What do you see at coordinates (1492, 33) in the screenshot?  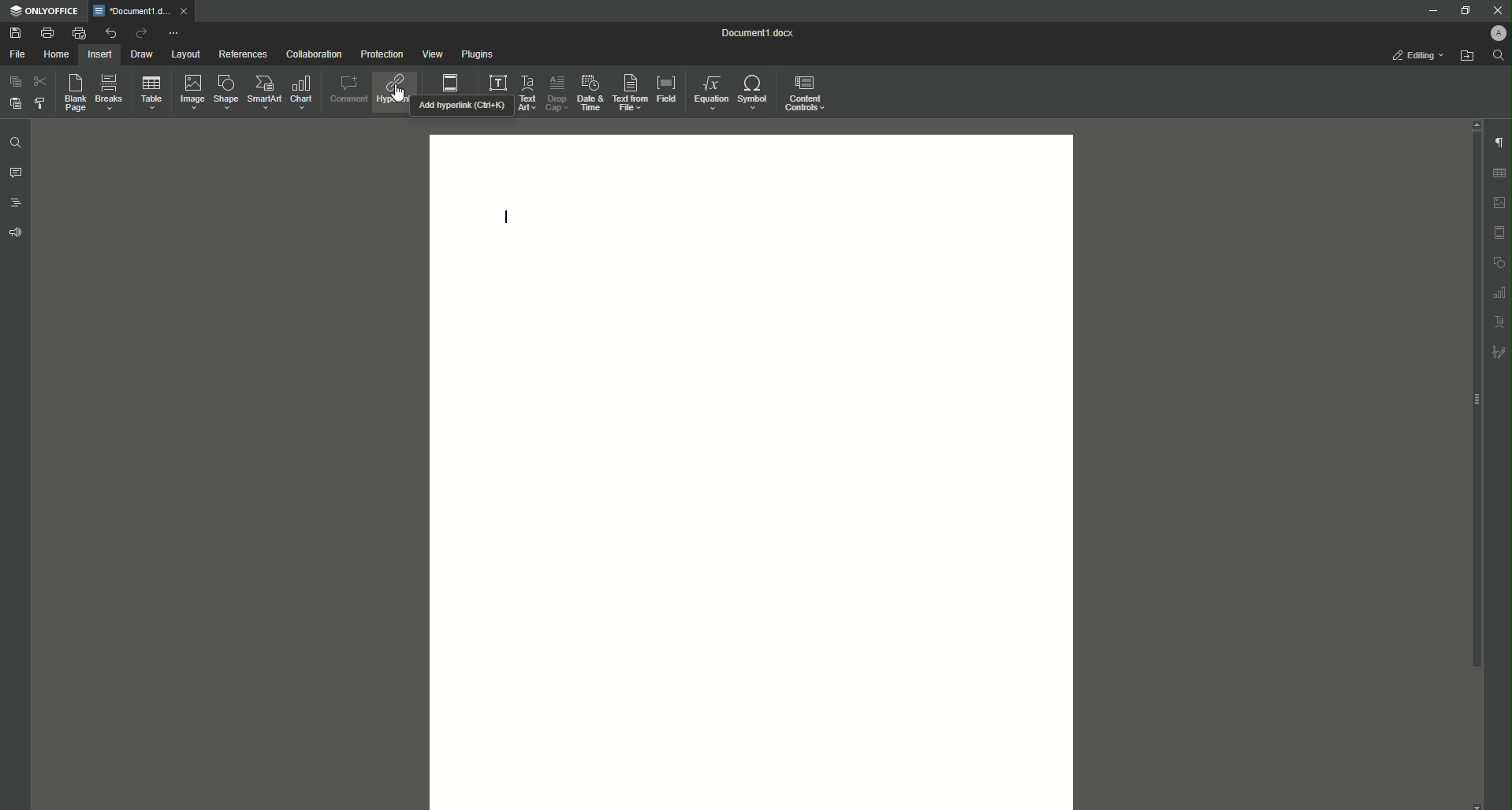 I see `Profile` at bounding box center [1492, 33].